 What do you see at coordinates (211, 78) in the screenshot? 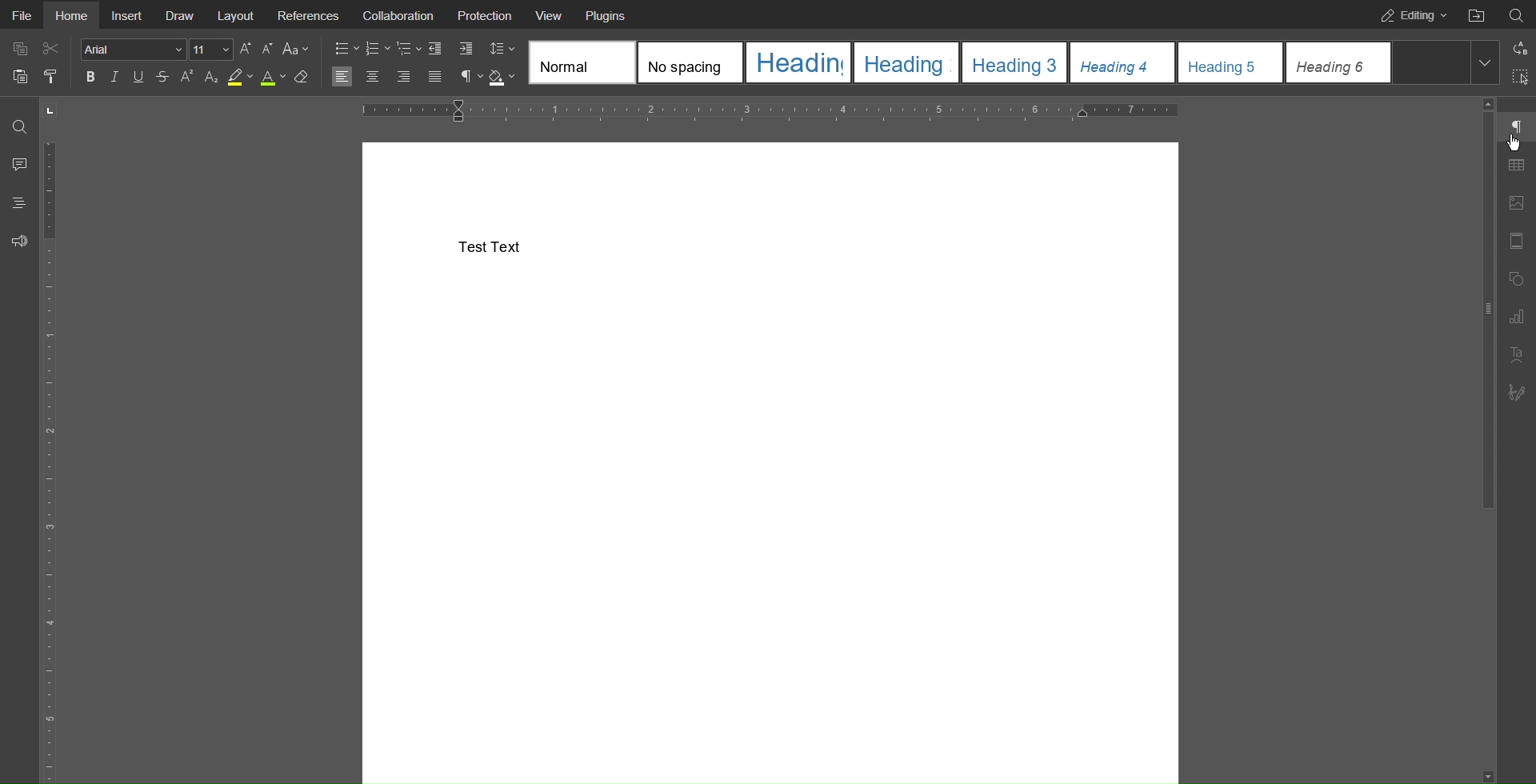
I see `Subscript` at bounding box center [211, 78].